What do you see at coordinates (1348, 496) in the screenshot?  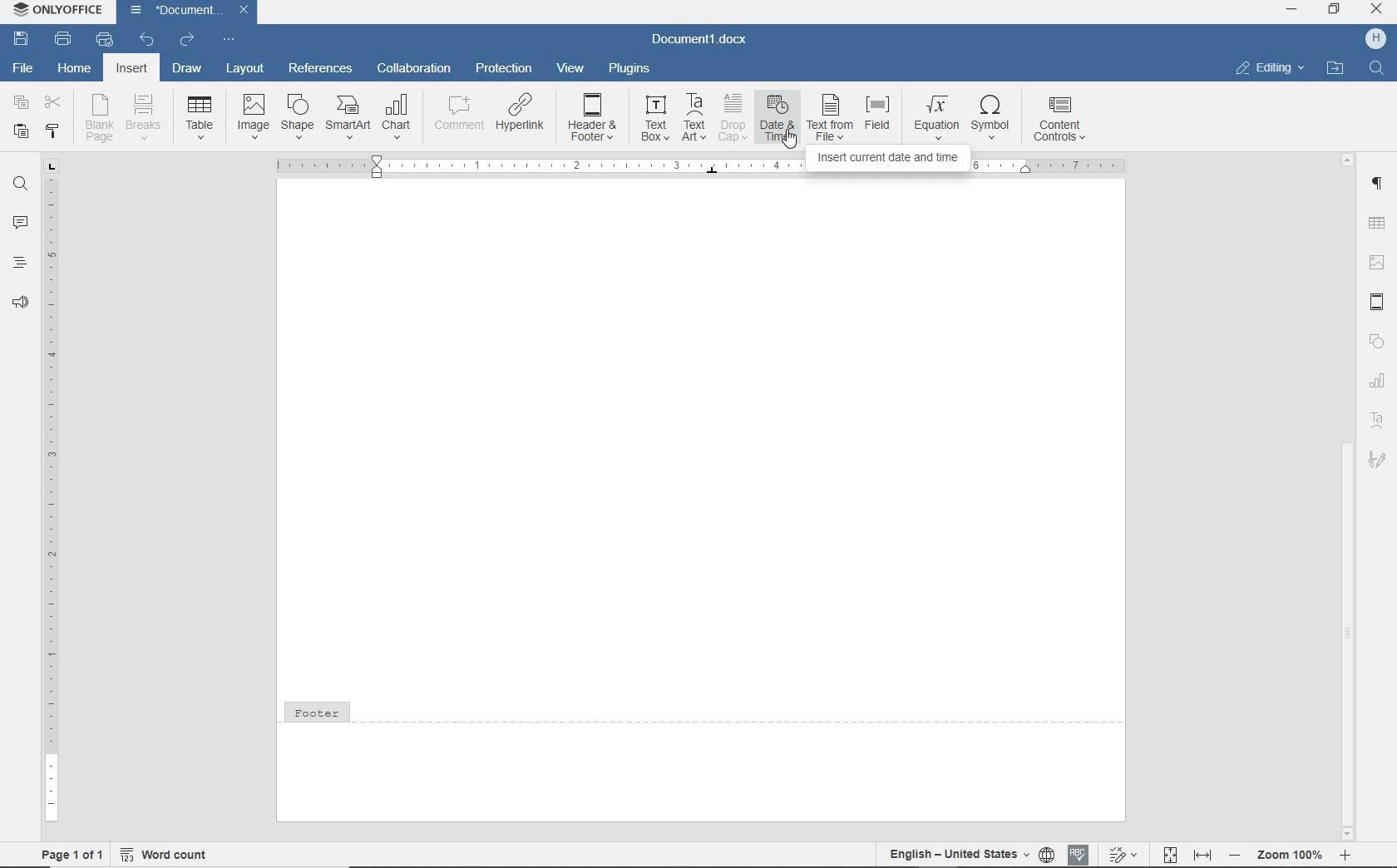 I see `scrollbar` at bounding box center [1348, 496].